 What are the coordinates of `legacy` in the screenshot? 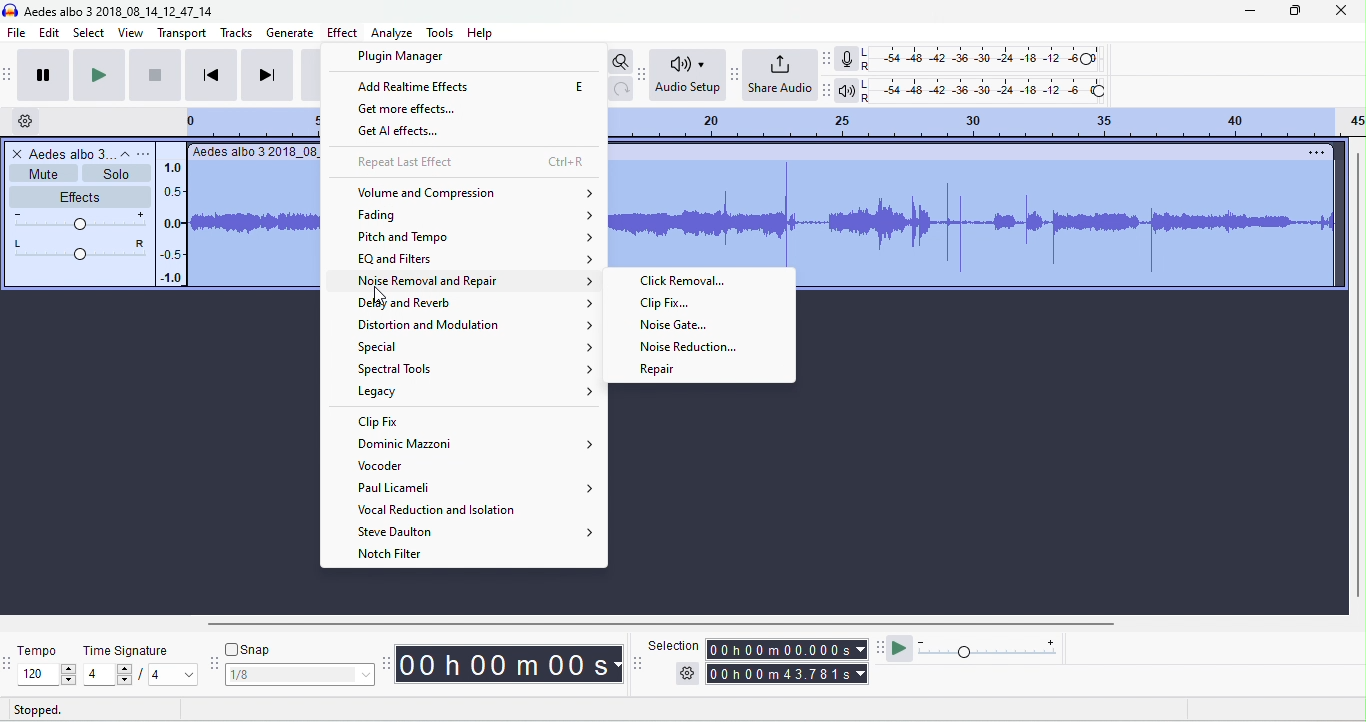 It's located at (476, 392).